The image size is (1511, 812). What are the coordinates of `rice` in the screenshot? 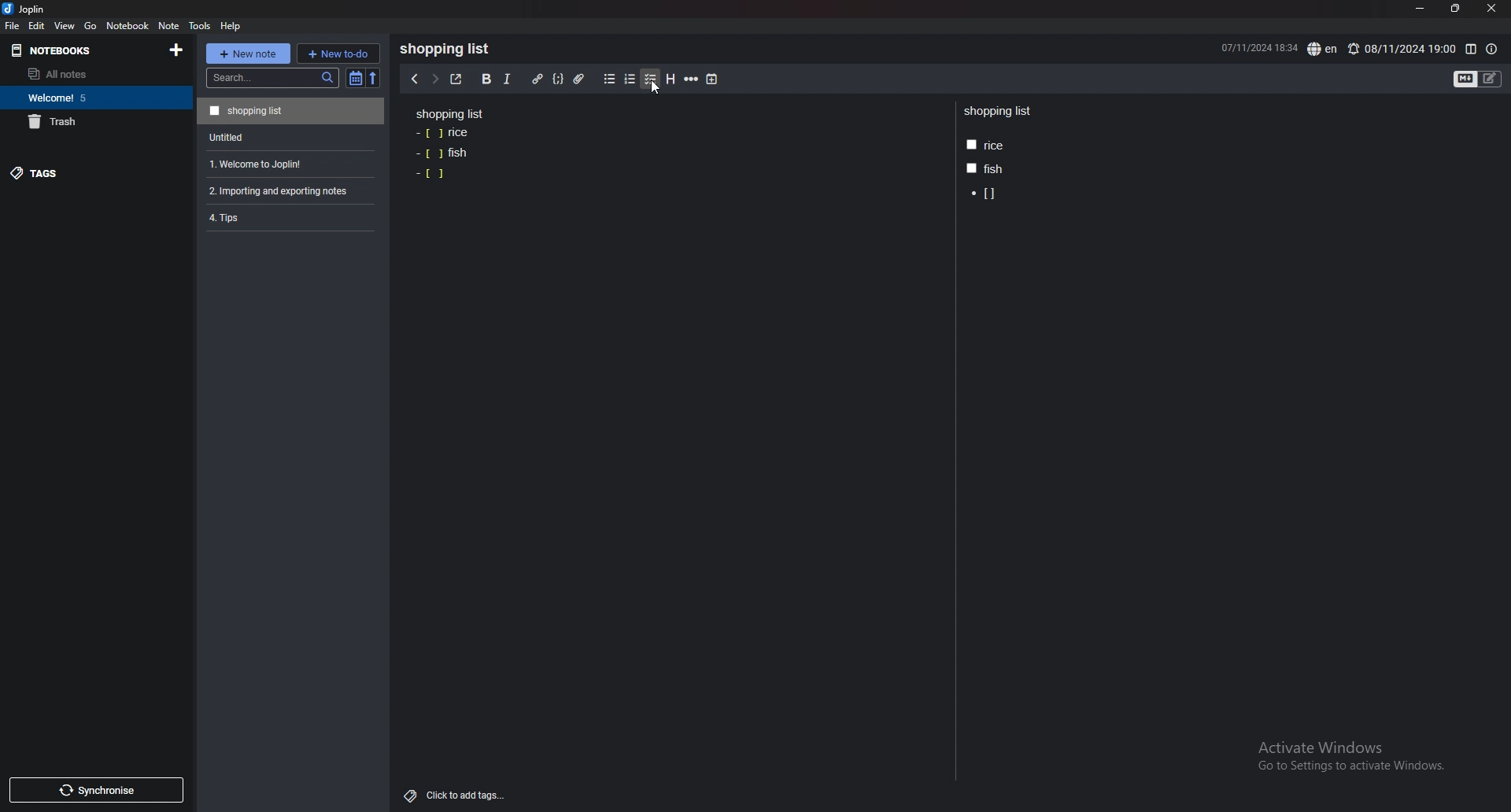 It's located at (444, 134).